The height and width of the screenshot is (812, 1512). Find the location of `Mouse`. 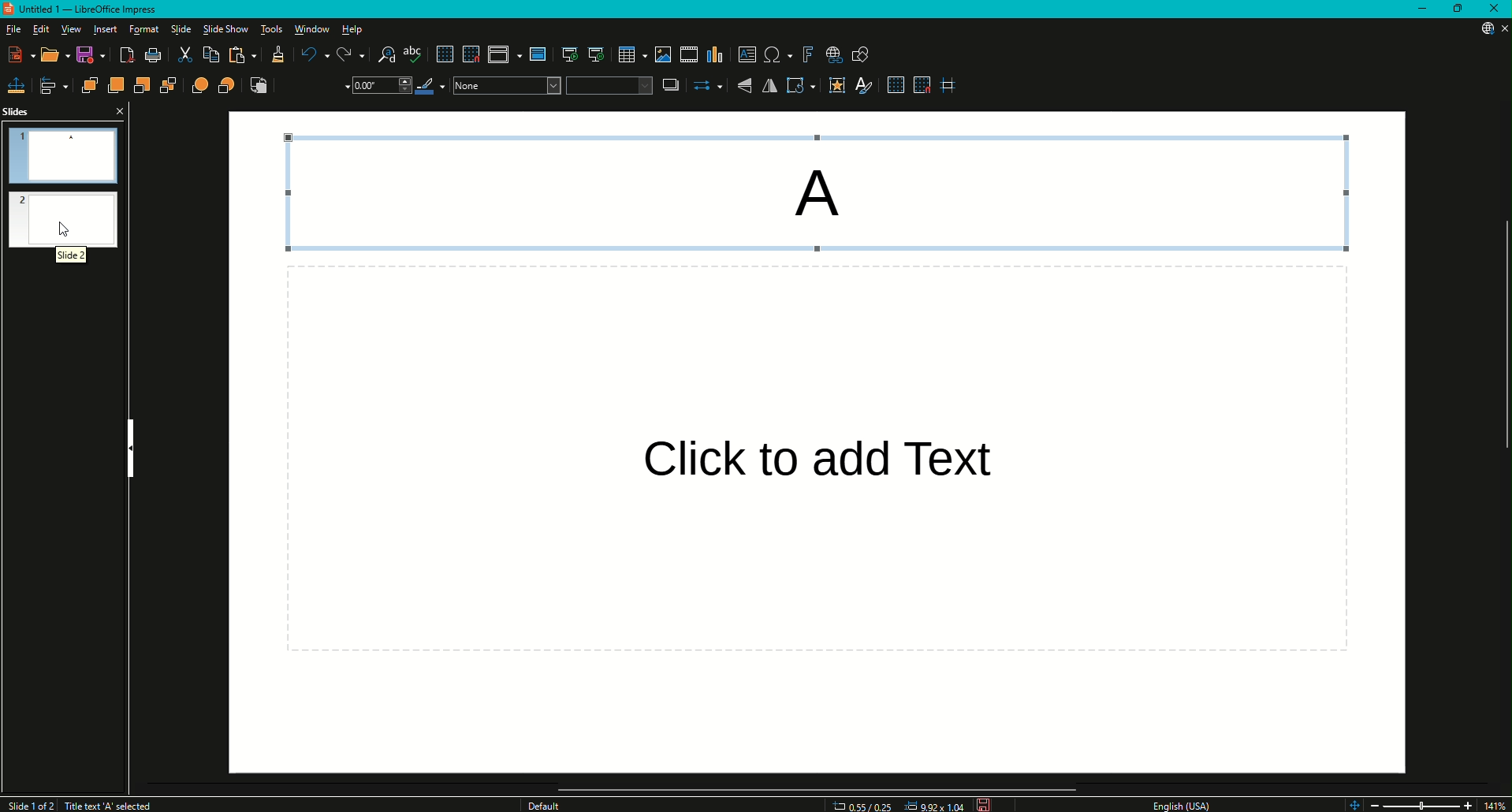

Mouse is located at coordinates (65, 232).